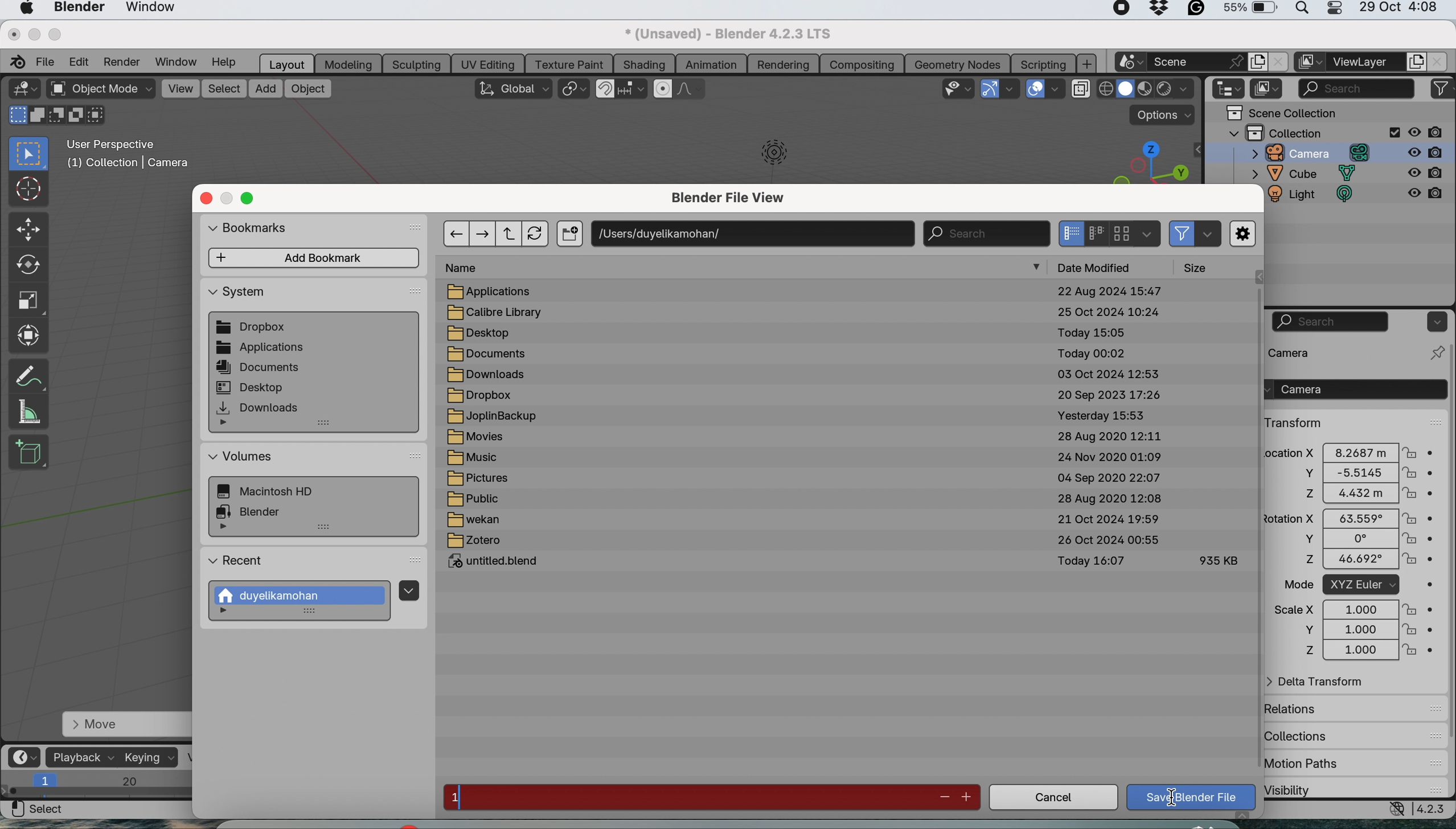 Image resolution: width=1456 pixels, height=829 pixels. What do you see at coordinates (985, 233) in the screenshot?
I see `search` at bounding box center [985, 233].